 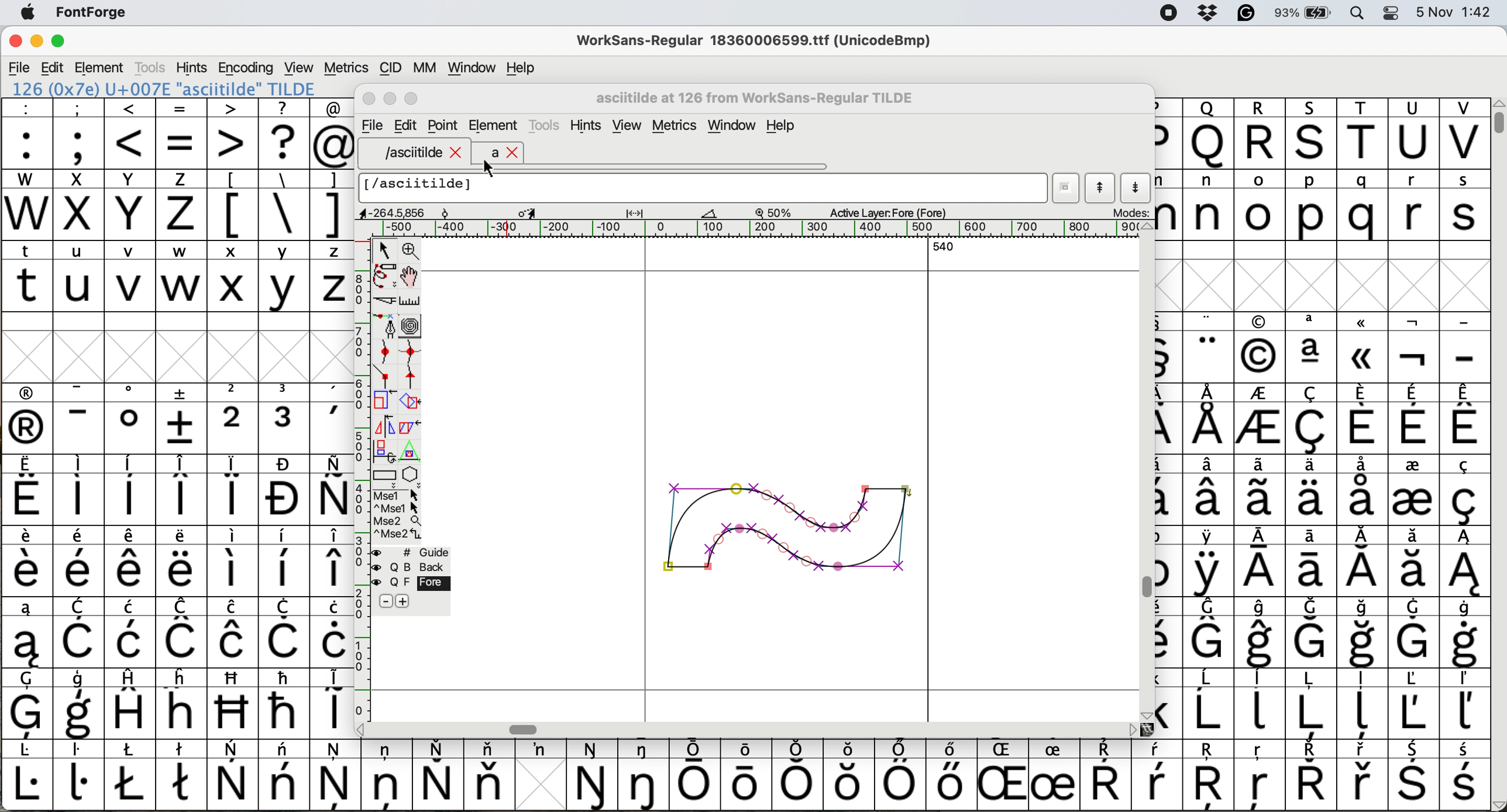 What do you see at coordinates (25, 633) in the screenshot?
I see `symbol` at bounding box center [25, 633].